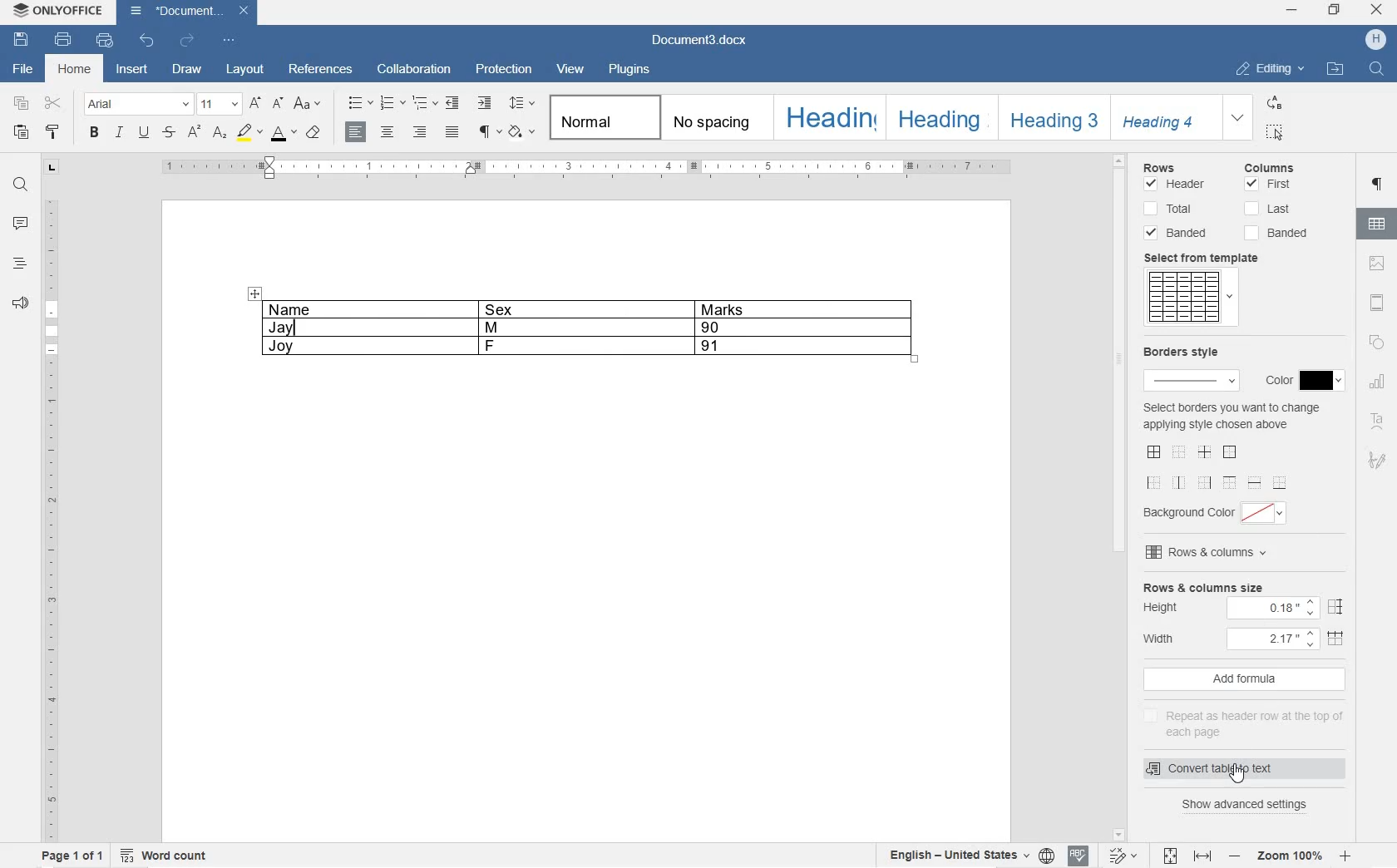 The image size is (1397, 868). I want to click on rows & columns size, so click(1202, 586).